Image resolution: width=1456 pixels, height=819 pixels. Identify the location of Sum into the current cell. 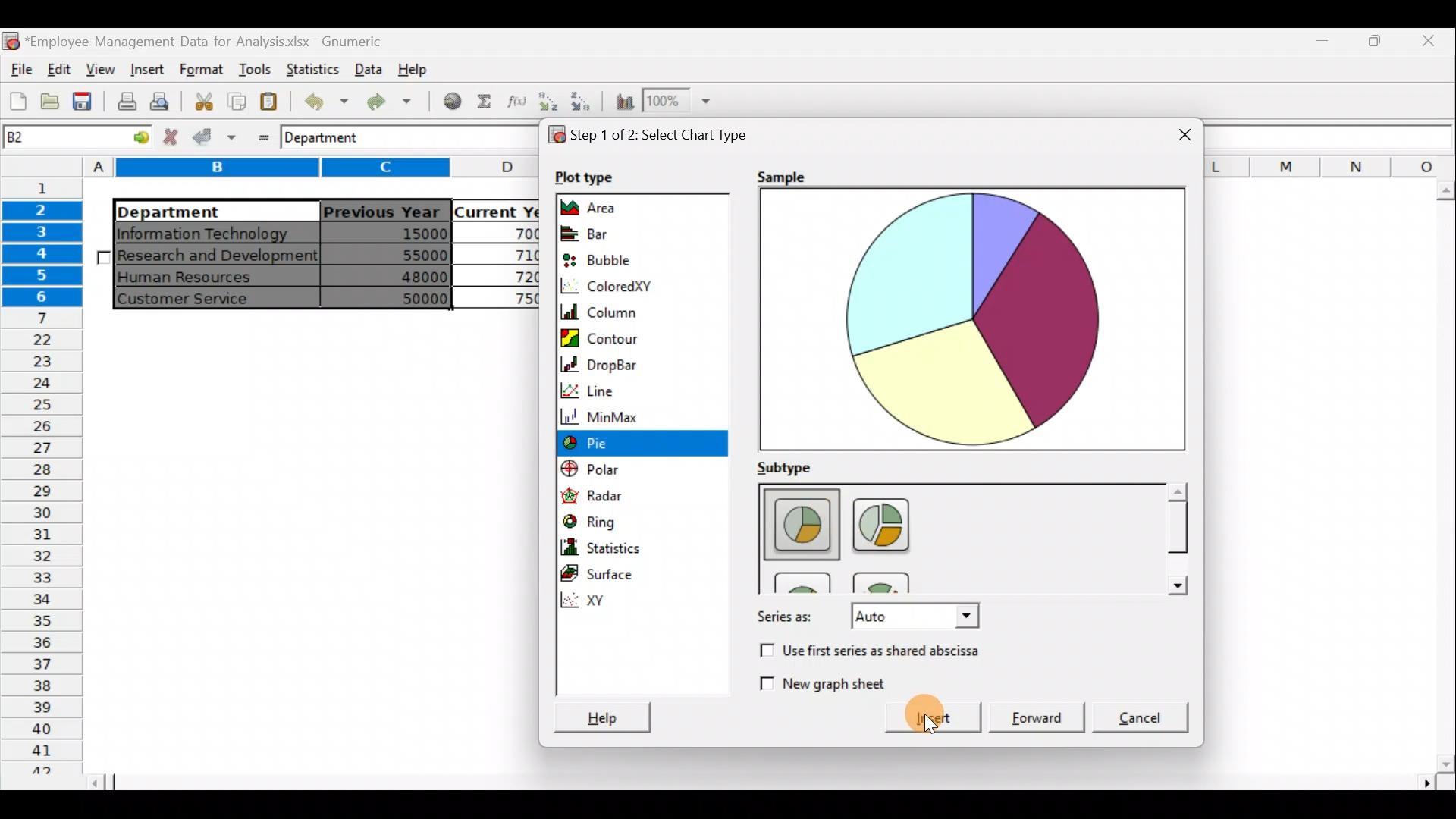
(485, 100).